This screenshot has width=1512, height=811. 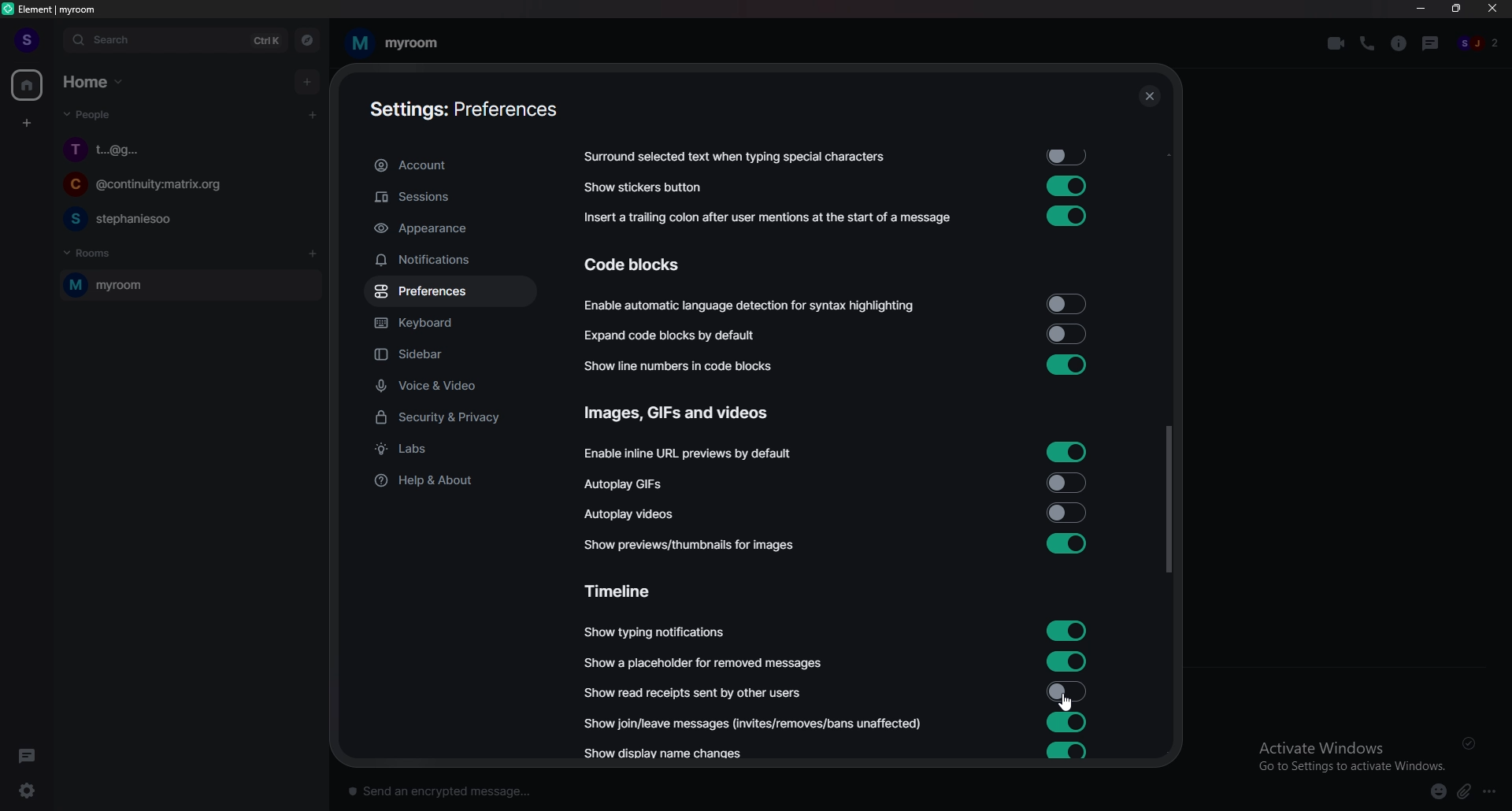 What do you see at coordinates (1458, 9) in the screenshot?
I see `resize` at bounding box center [1458, 9].